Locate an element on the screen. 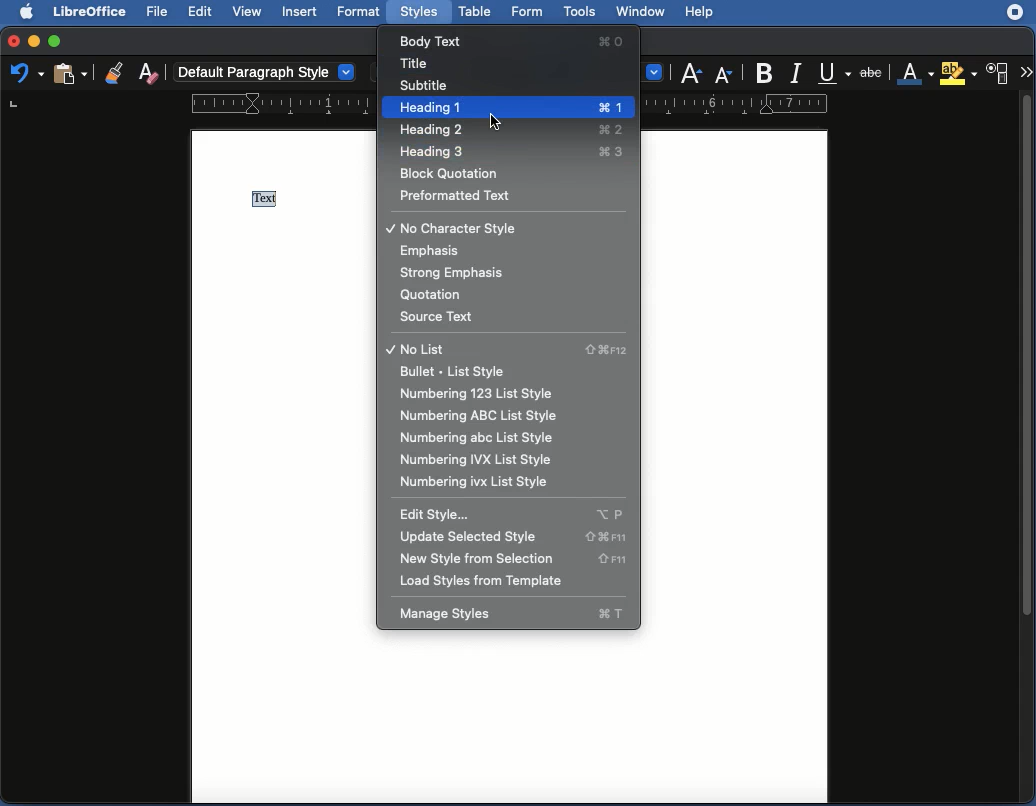  Numbering IVX list style is located at coordinates (485, 462).